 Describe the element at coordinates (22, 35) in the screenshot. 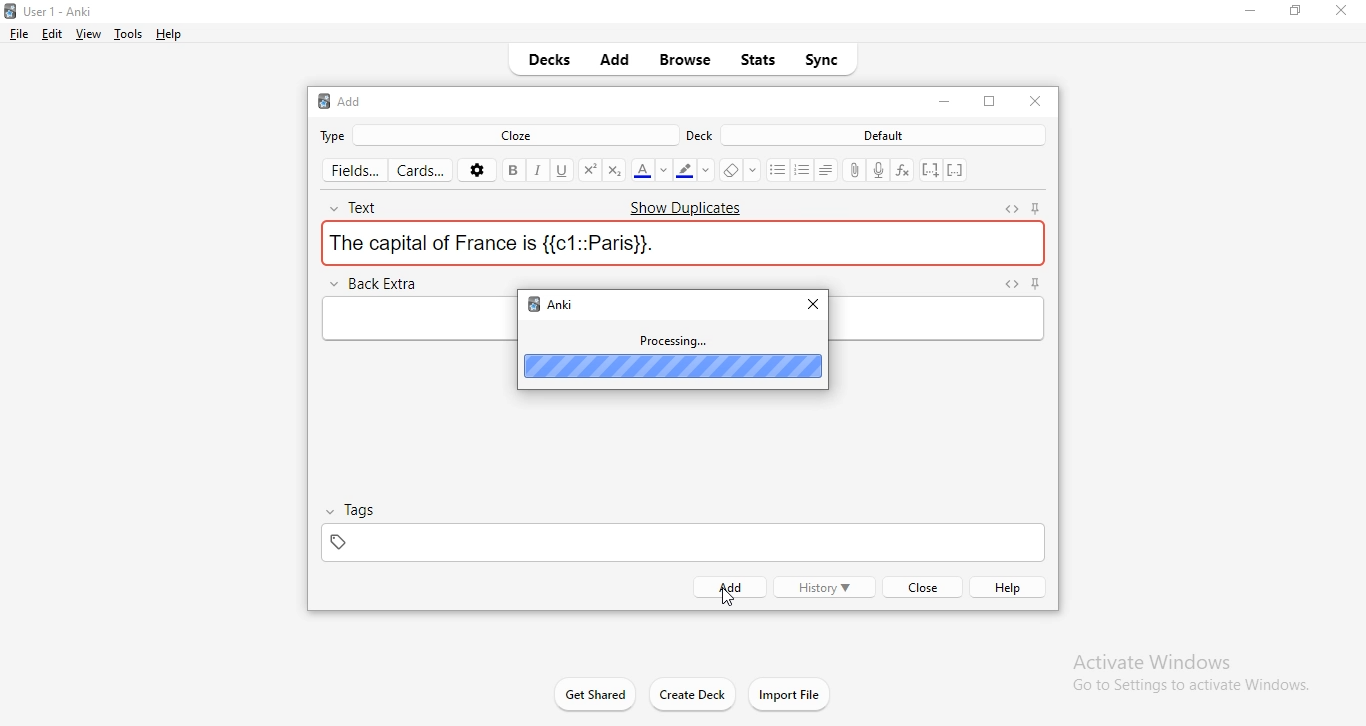

I see `file` at that location.